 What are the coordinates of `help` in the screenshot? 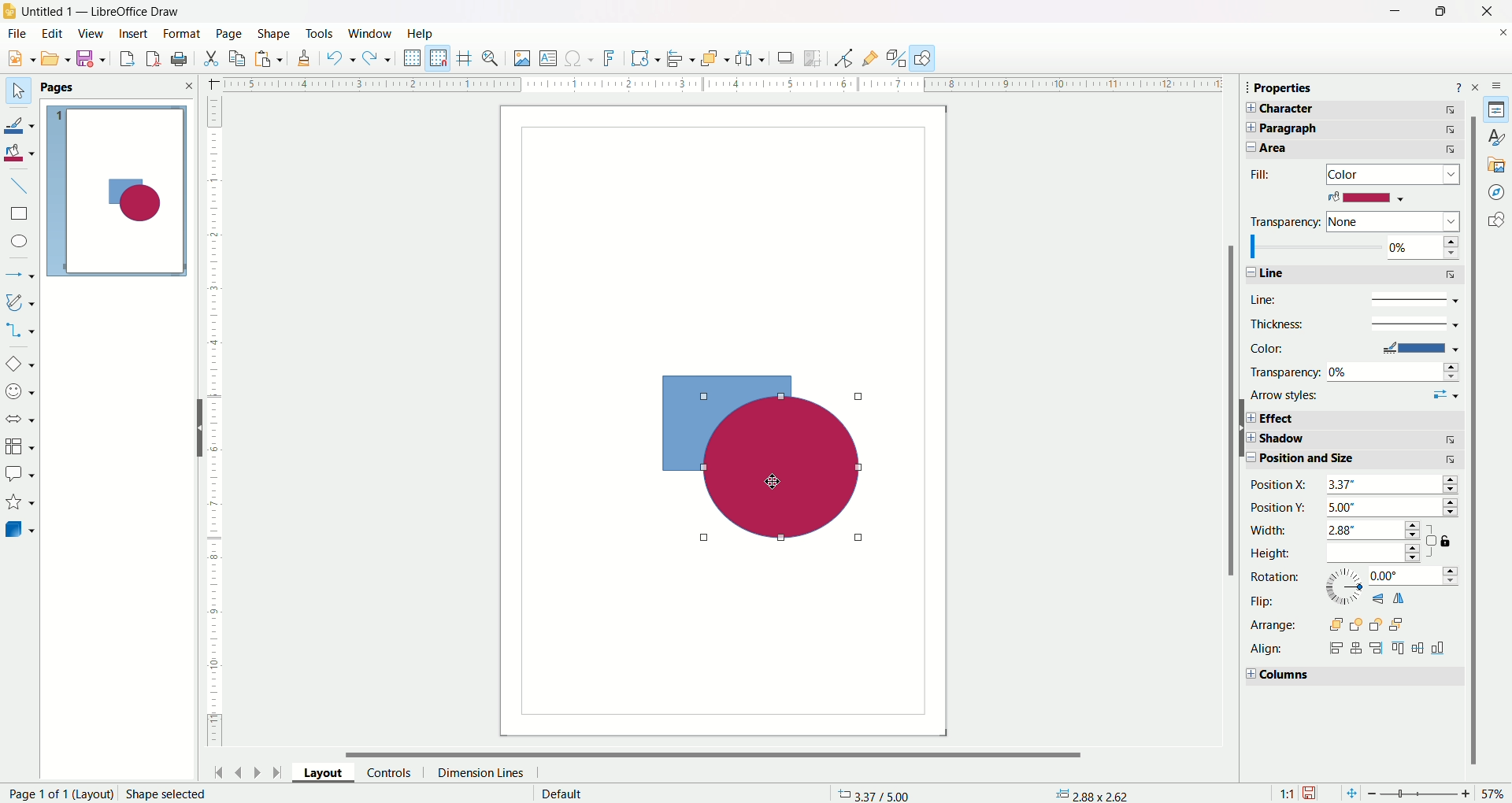 It's located at (1458, 86).